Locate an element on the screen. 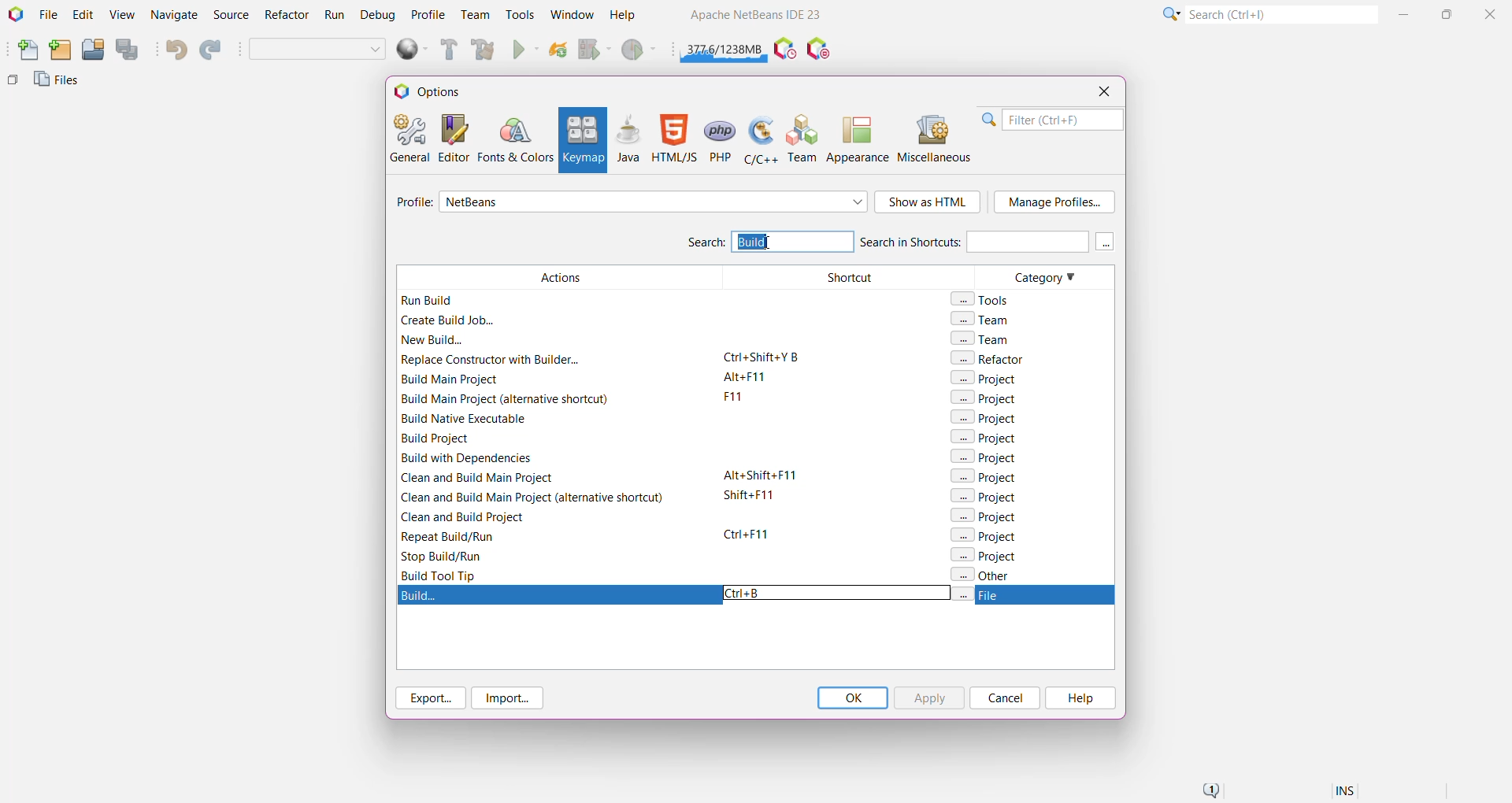 The width and height of the screenshot is (1512, 803). Undo is located at coordinates (175, 50).